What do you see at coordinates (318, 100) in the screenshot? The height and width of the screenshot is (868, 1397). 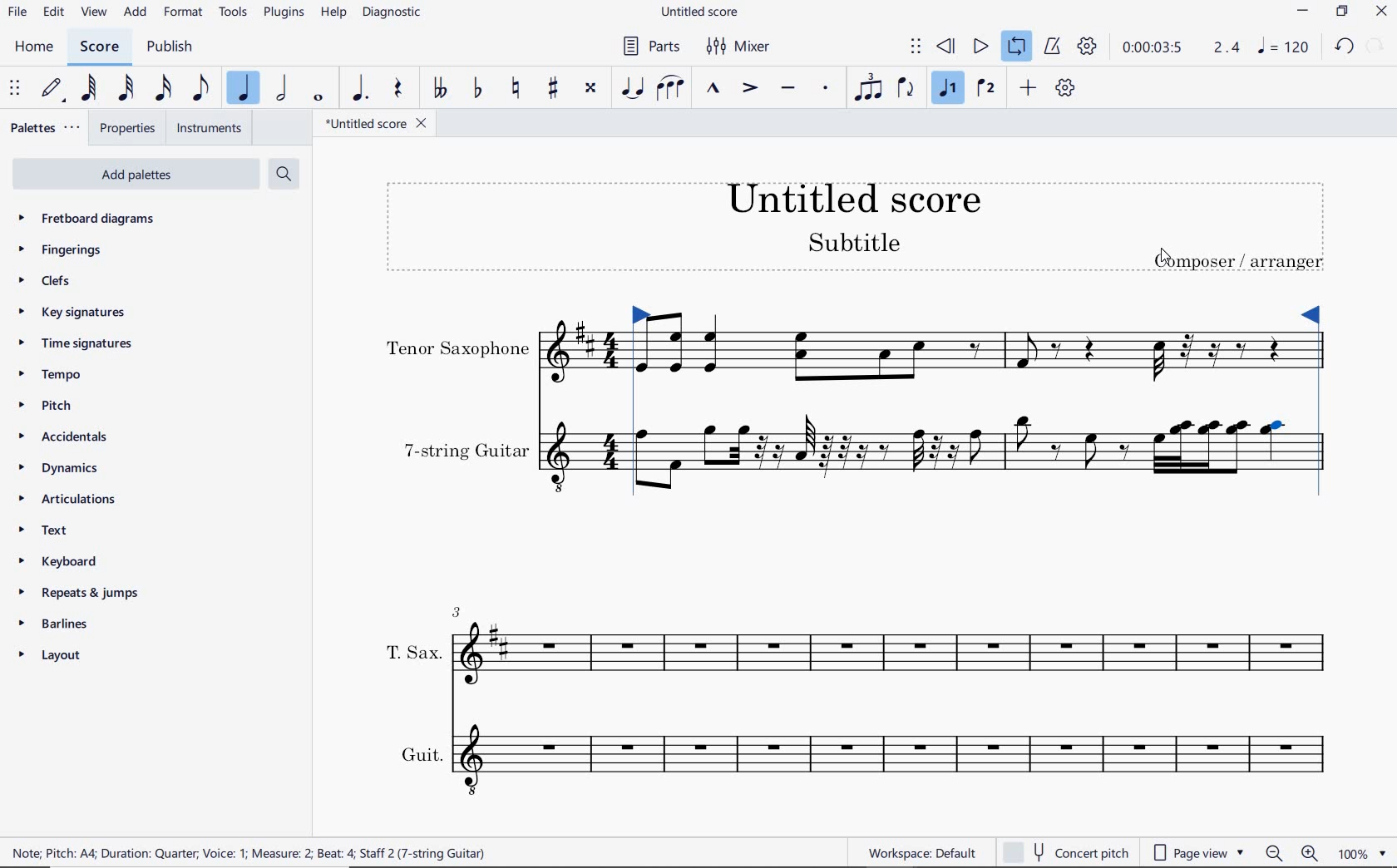 I see `WHOLE NOTE` at bounding box center [318, 100].